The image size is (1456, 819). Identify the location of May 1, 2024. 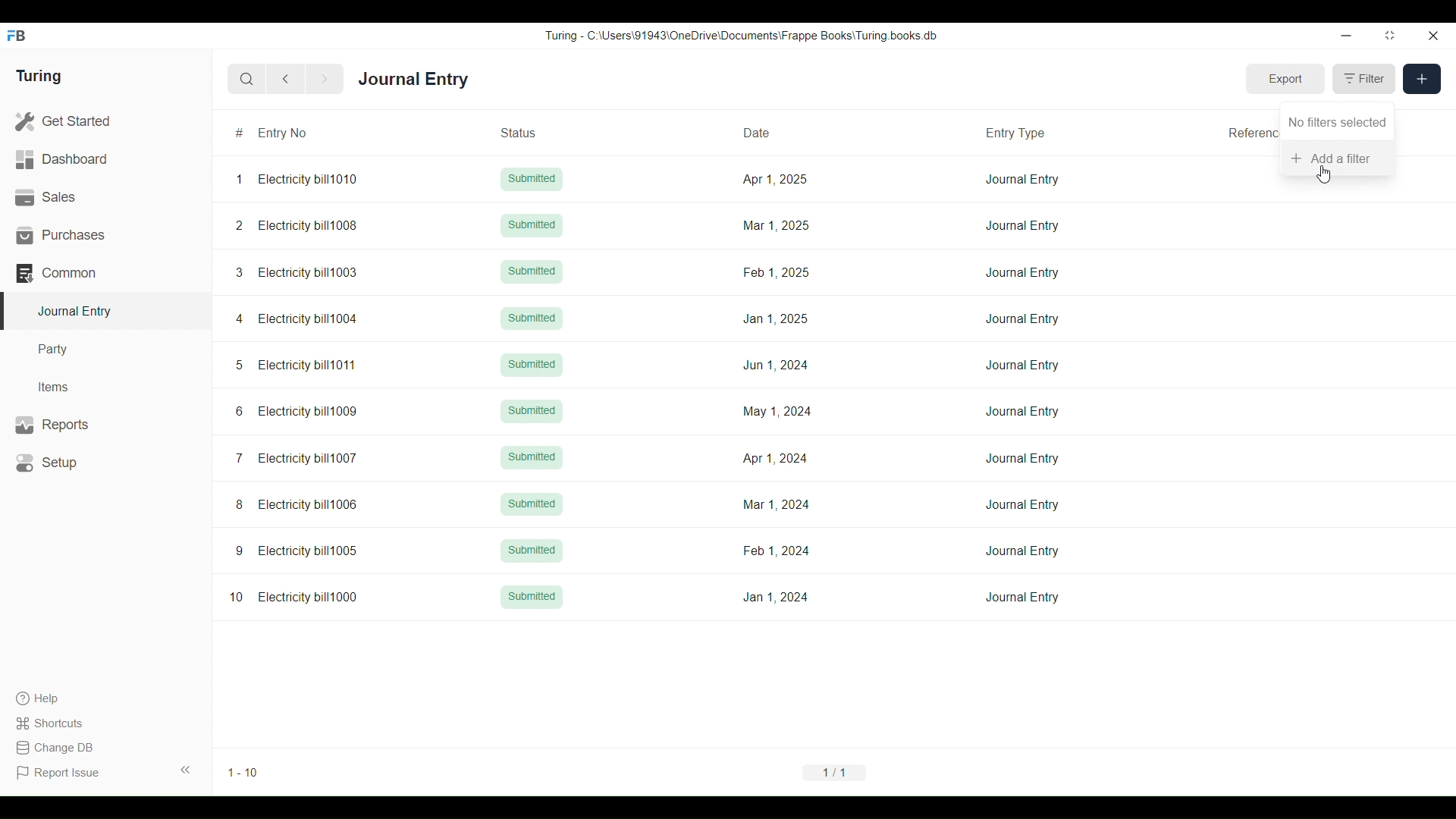
(777, 410).